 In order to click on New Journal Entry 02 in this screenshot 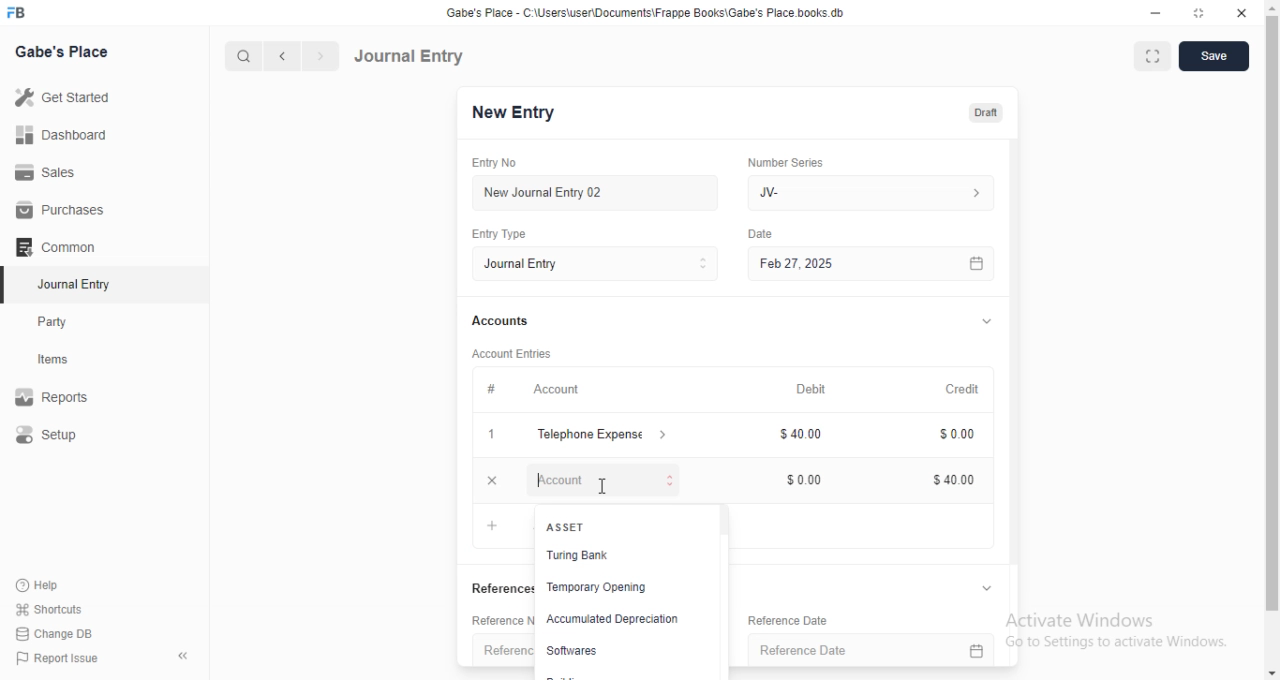, I will do `click(605, 193)`.